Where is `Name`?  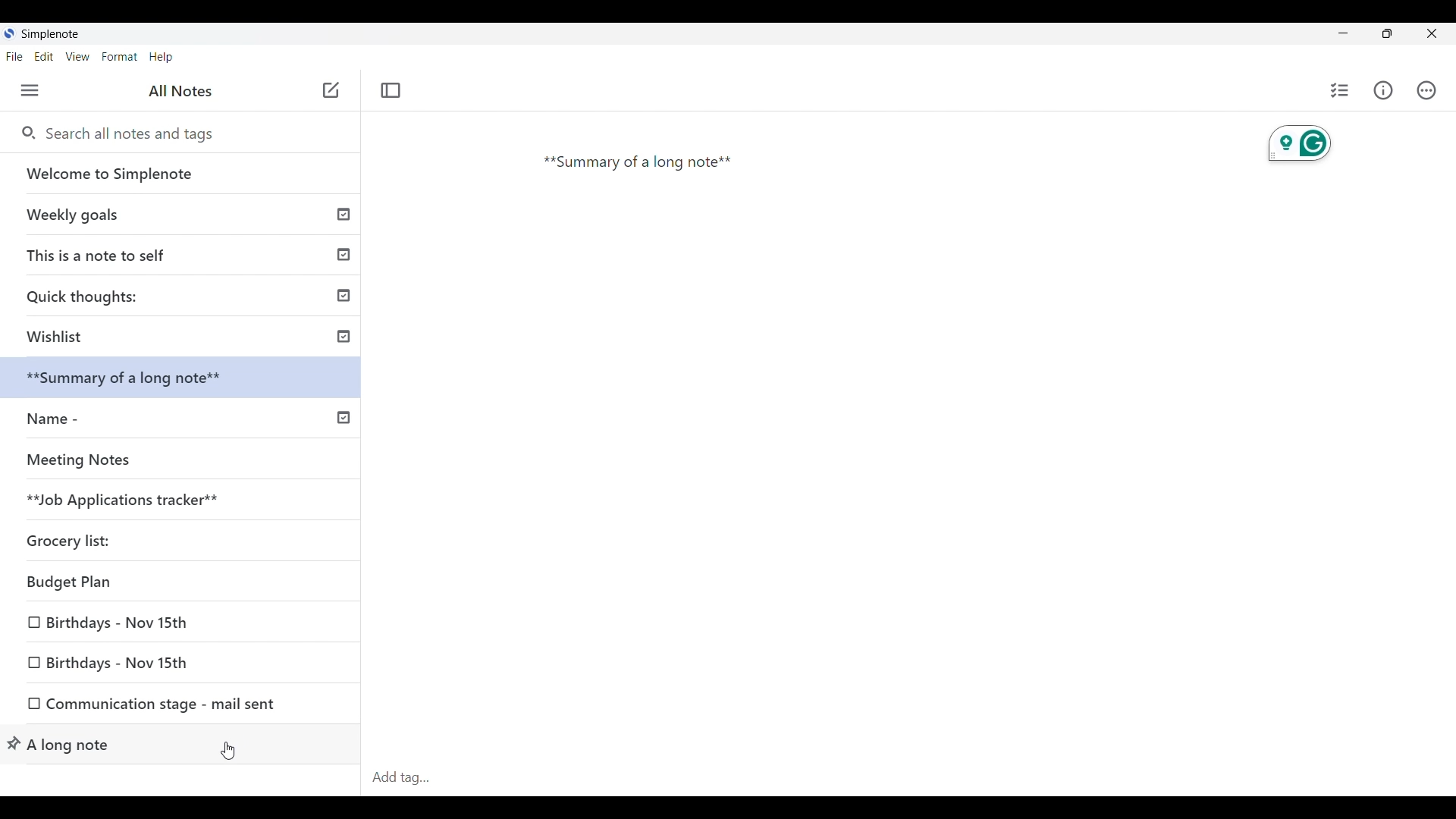
Name is located at coordinates (181, 416).